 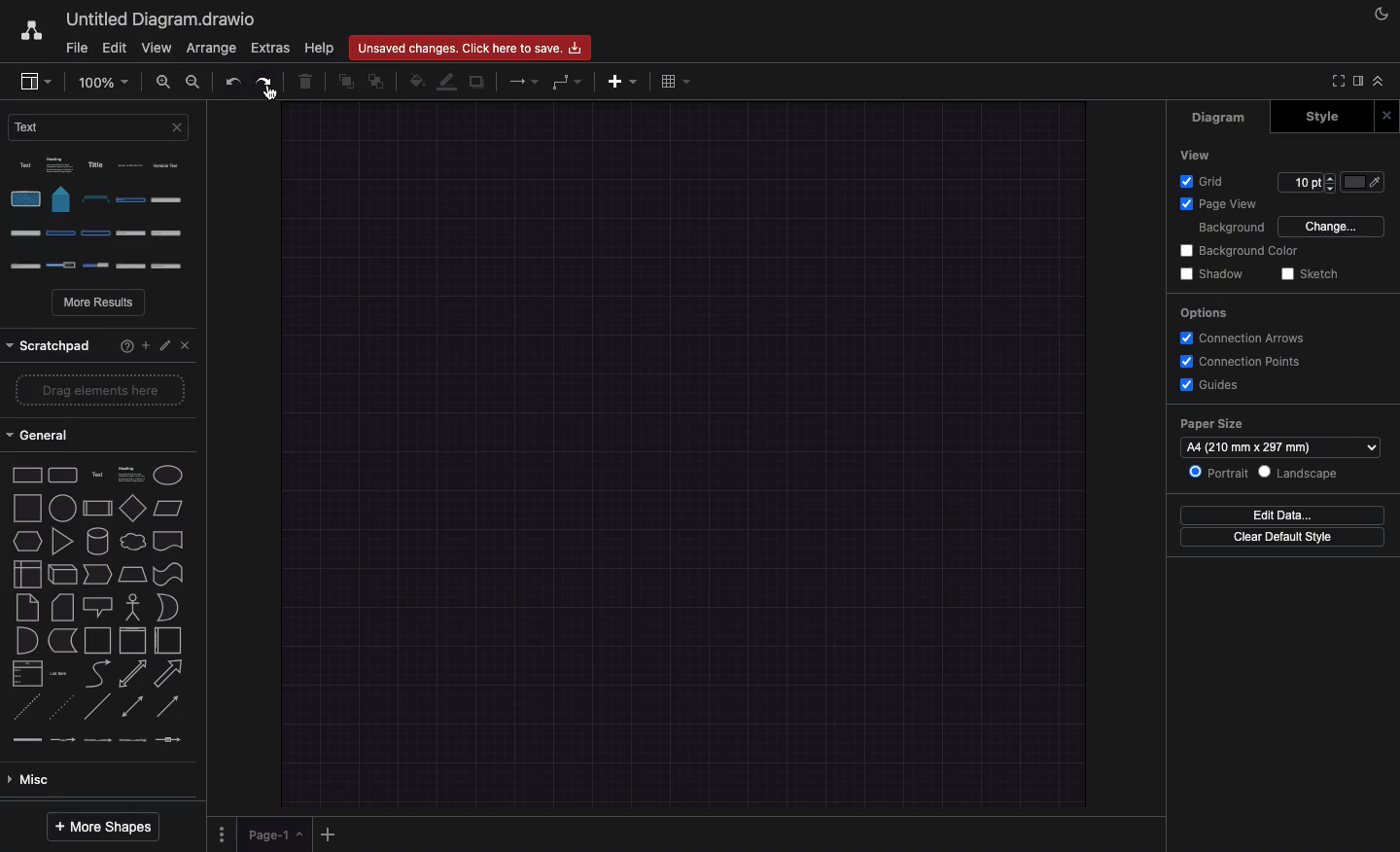 What do you see at coordinates (1207, 180) in the screenshot?
I see `Grid` at bounding box center [1207, 180].